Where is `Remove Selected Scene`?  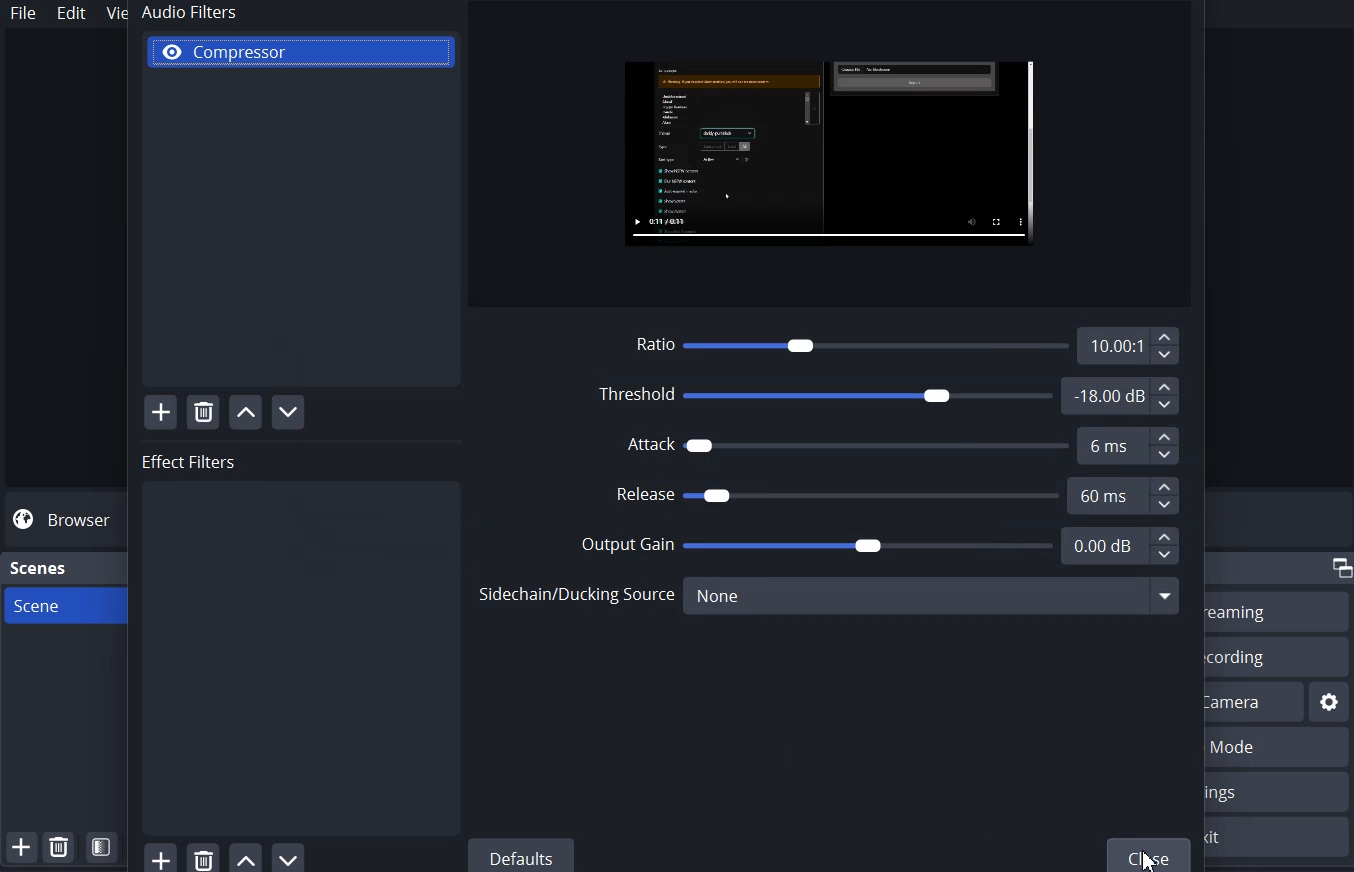
Remove Selected Scene is located at coordinates (58, 846).